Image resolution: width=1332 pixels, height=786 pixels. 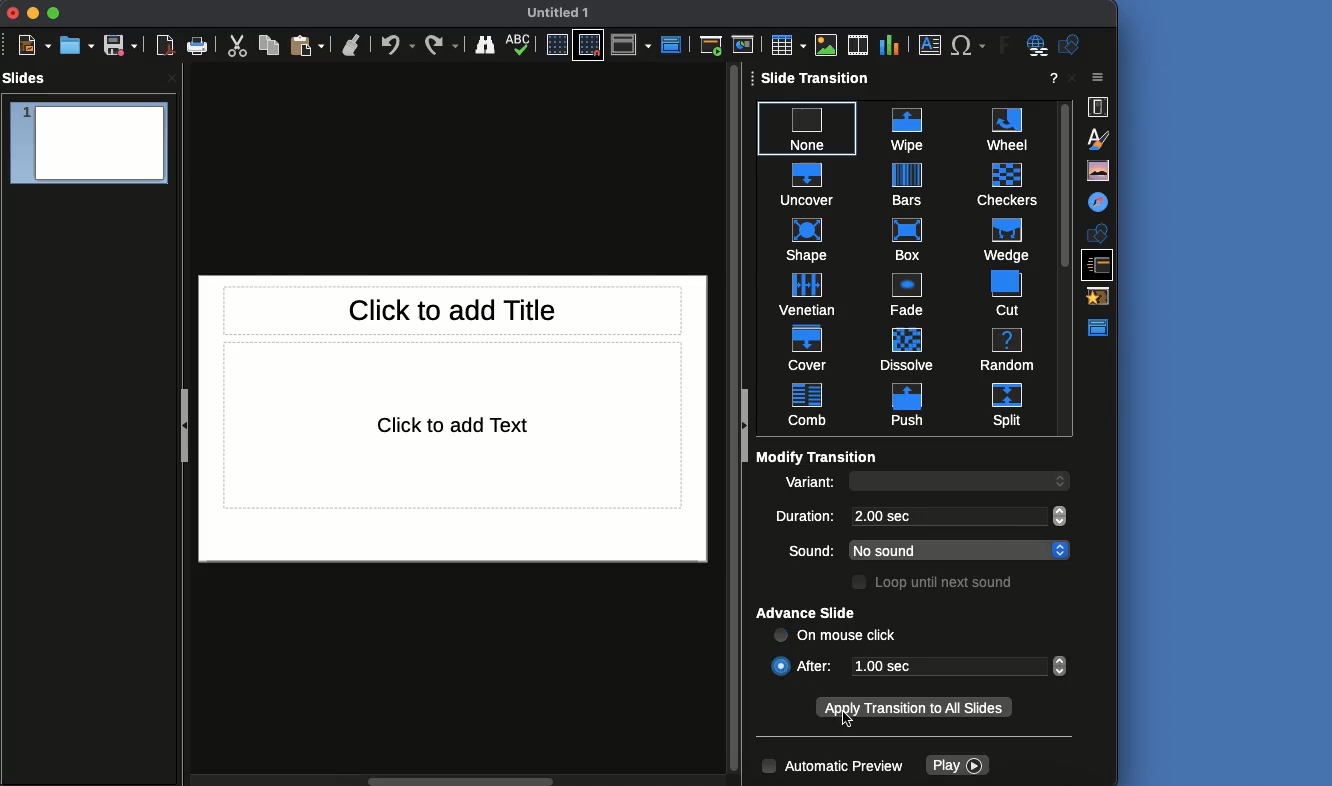 What do you see at coordinates (309, 44) in the screenshot?
I see `Paste` at bounding box center [309, 44].